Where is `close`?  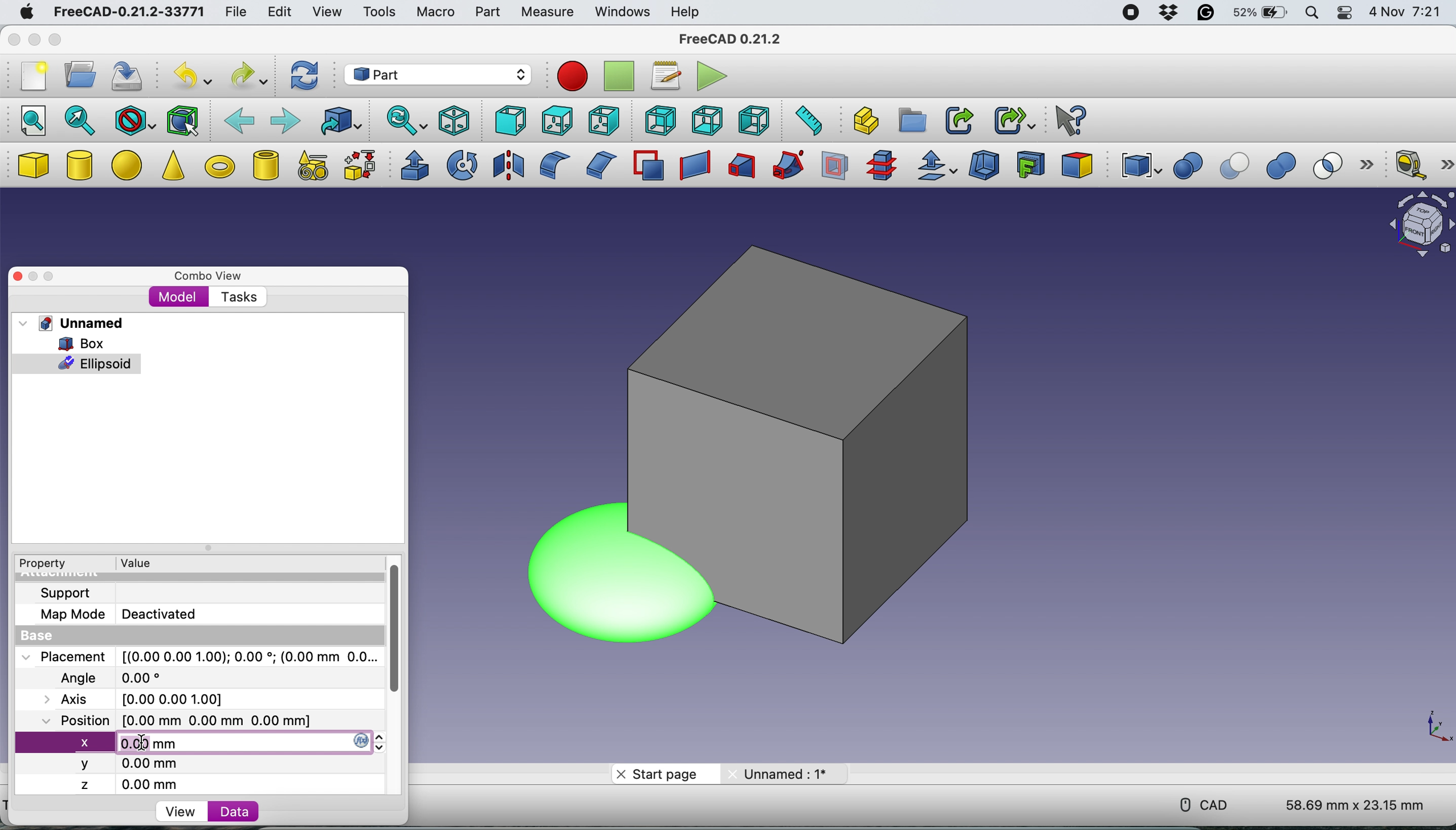 close is located at coordinates (12, 40).